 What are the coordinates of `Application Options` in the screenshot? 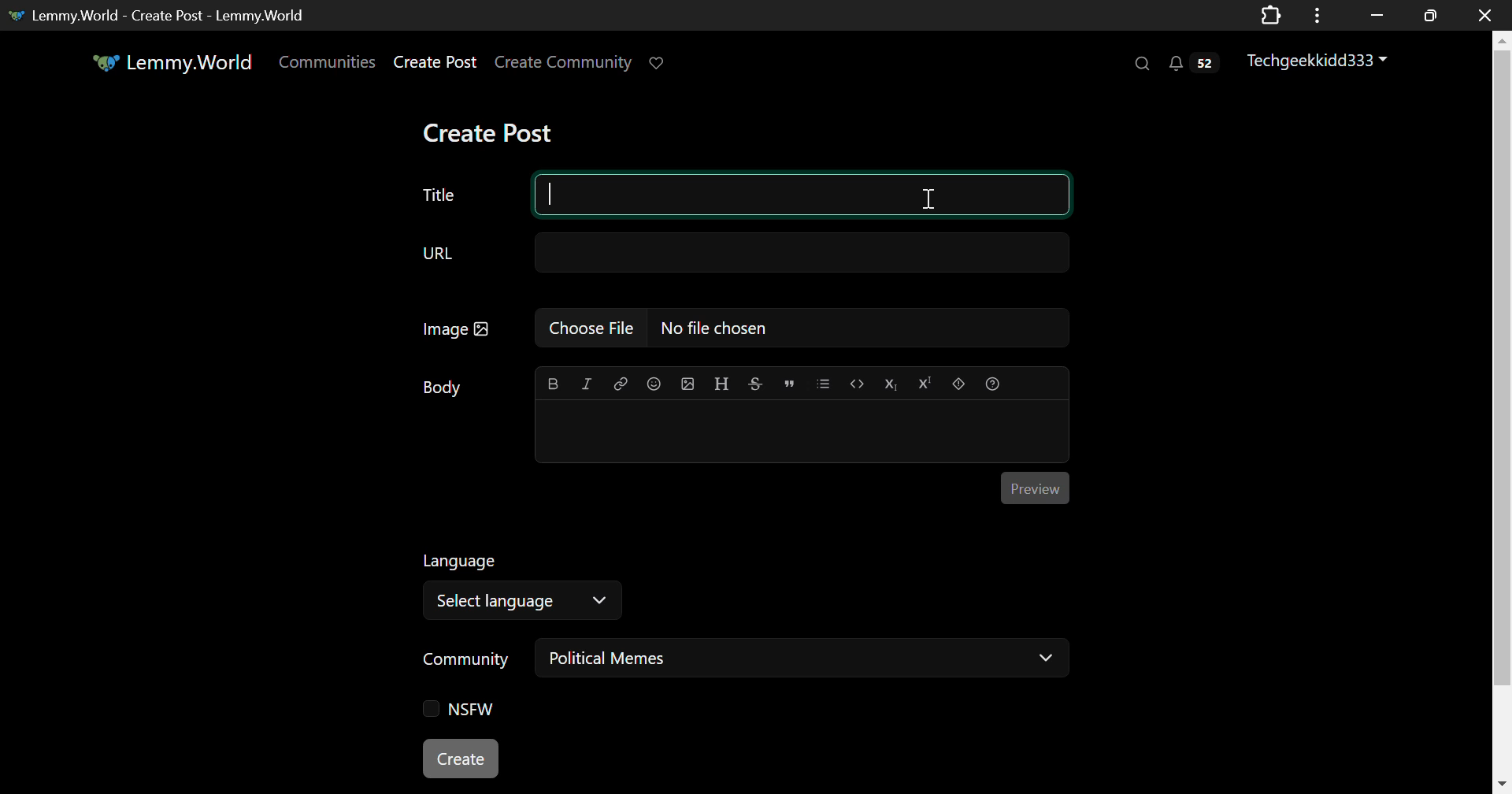 It's located at (1317, 14).